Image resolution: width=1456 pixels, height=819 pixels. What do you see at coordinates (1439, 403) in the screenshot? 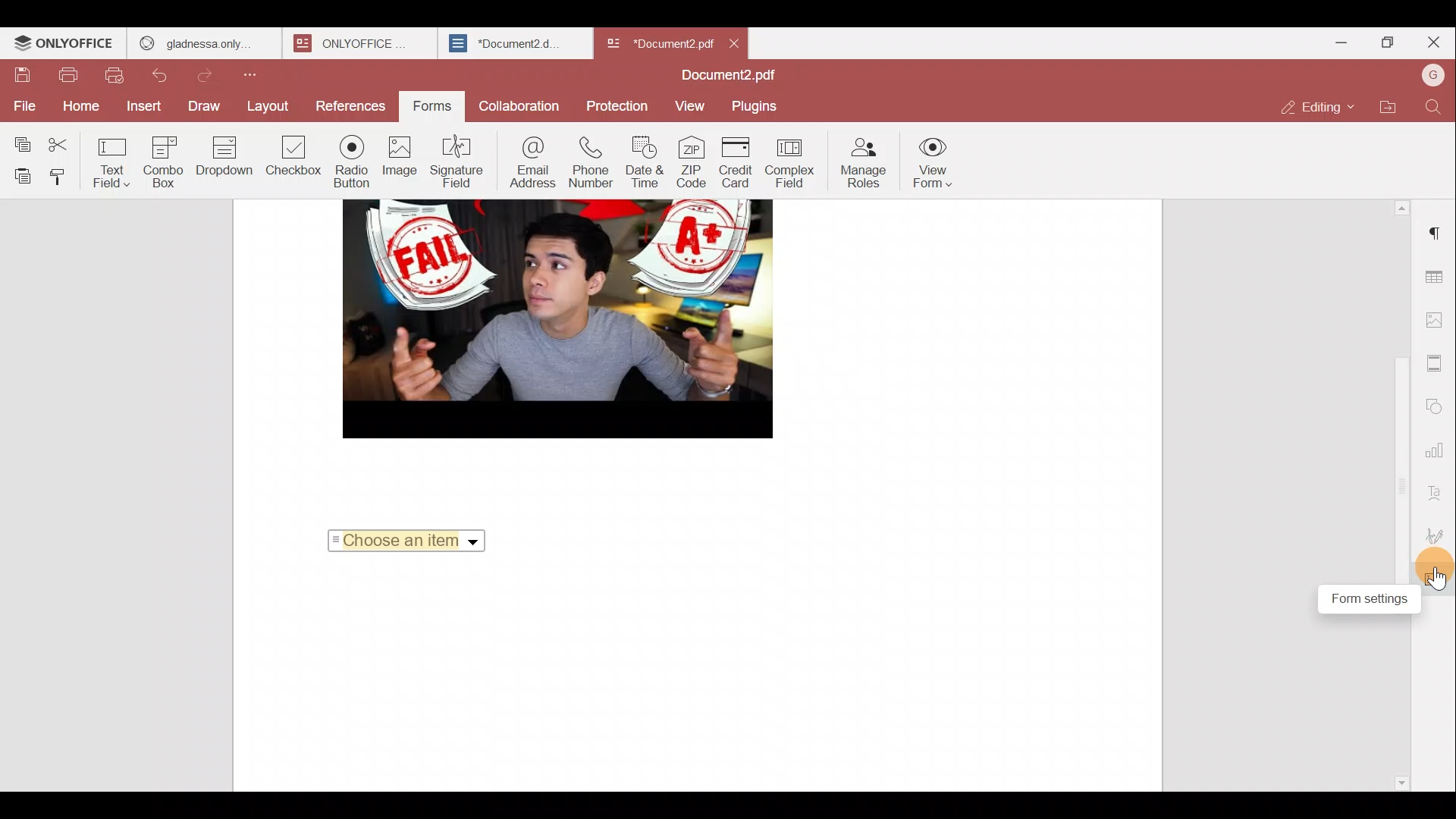
I see `Shapes settings` at bounding box center [1439, 403].